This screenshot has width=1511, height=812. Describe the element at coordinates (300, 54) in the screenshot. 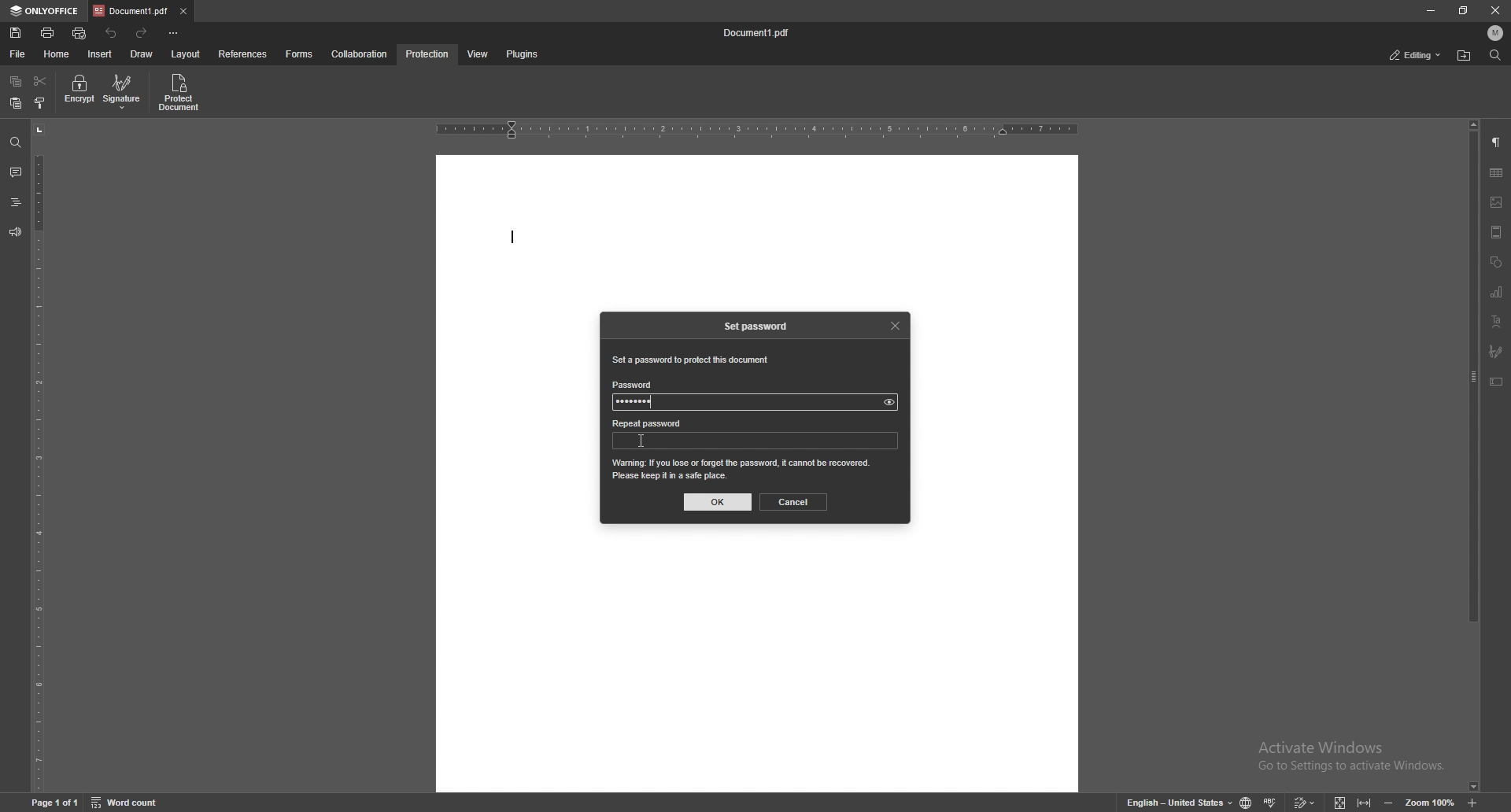

I see `forms` at that location.